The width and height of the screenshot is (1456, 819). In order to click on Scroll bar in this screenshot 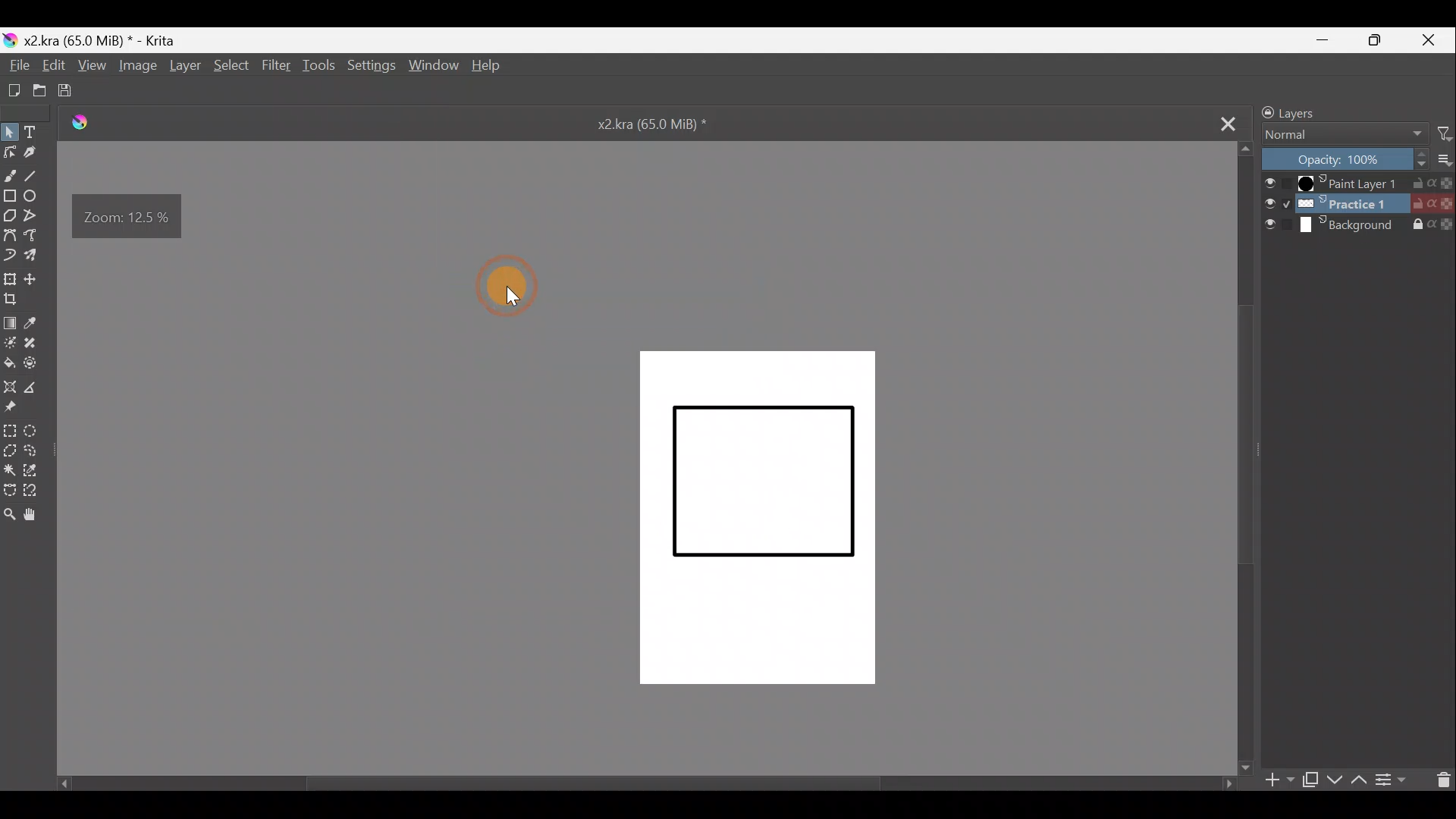, I will do `click(633, 788)`.